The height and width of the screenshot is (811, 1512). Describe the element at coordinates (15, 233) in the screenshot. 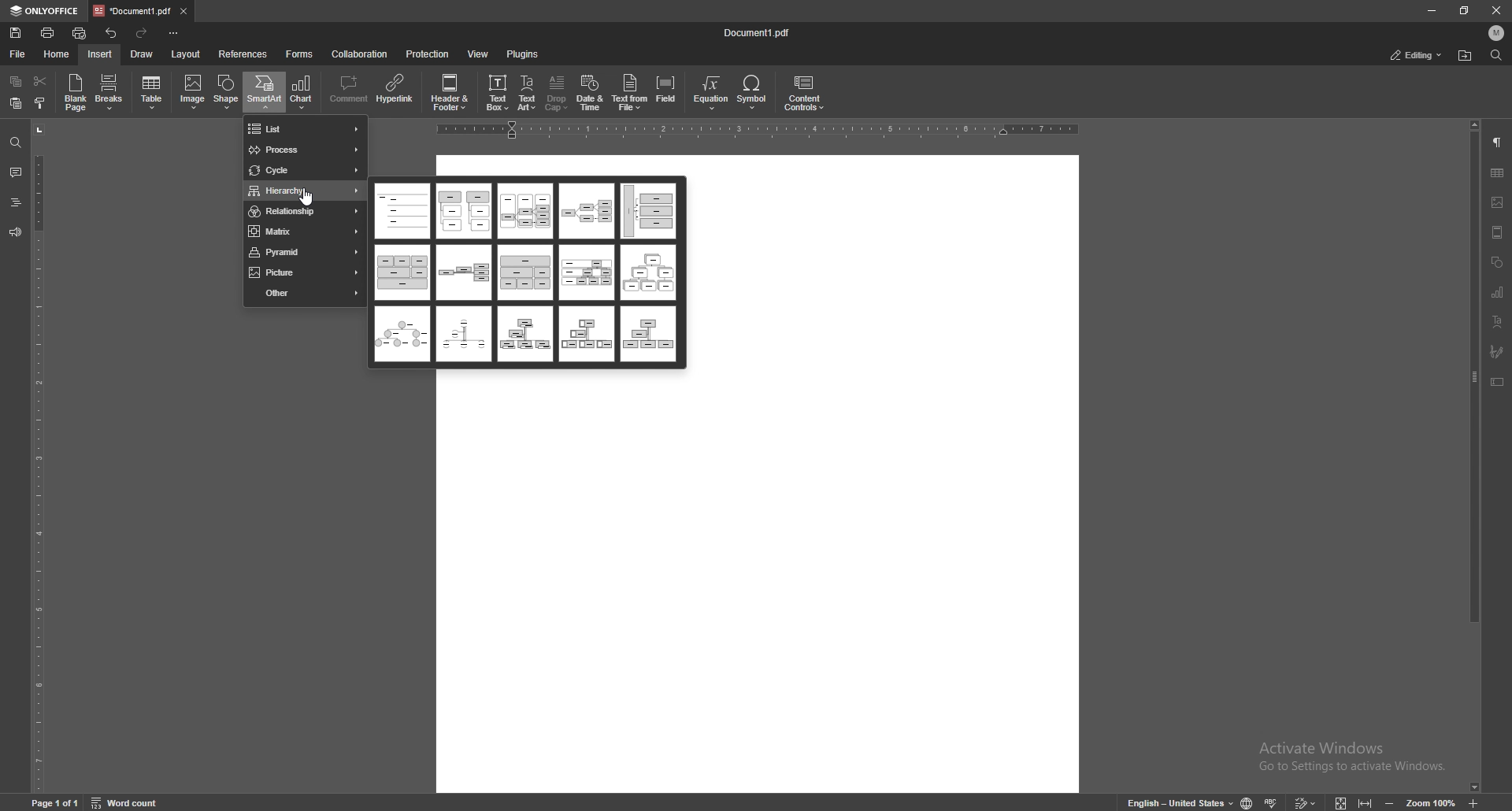

I see `feedback` at that location.